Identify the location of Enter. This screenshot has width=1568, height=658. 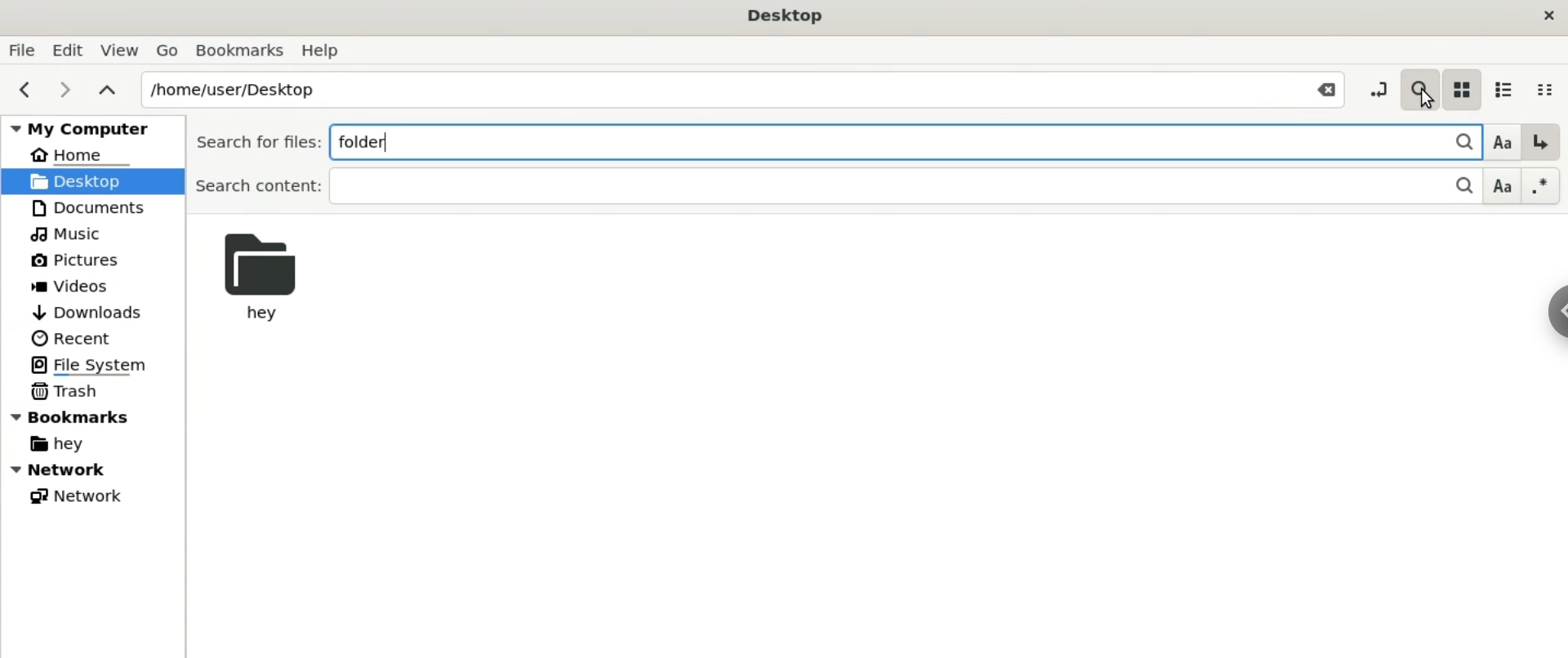
(1541, 142).